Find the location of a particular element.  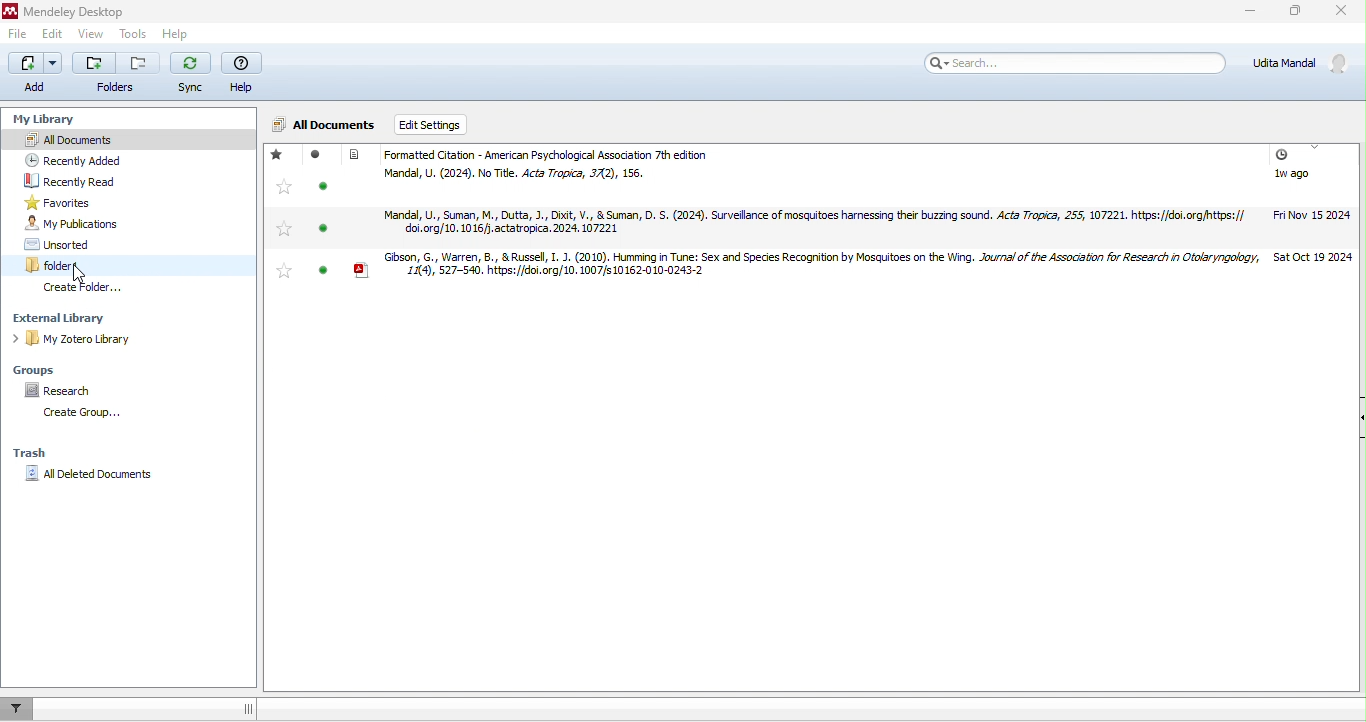

filter is located at coordinates (17, 709).